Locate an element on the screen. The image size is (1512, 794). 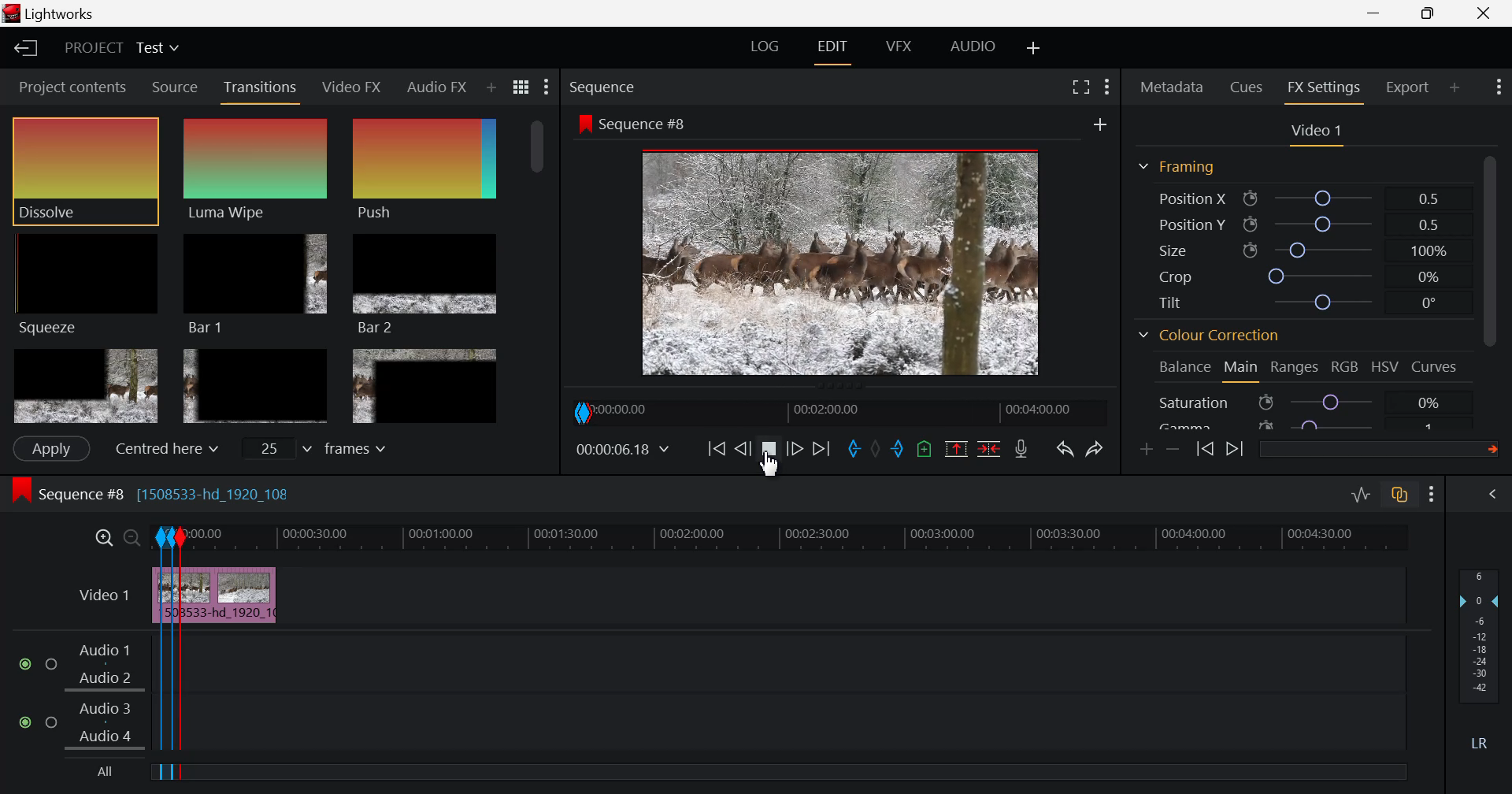
FX Settings Open is located at coordinates (1324, 90).